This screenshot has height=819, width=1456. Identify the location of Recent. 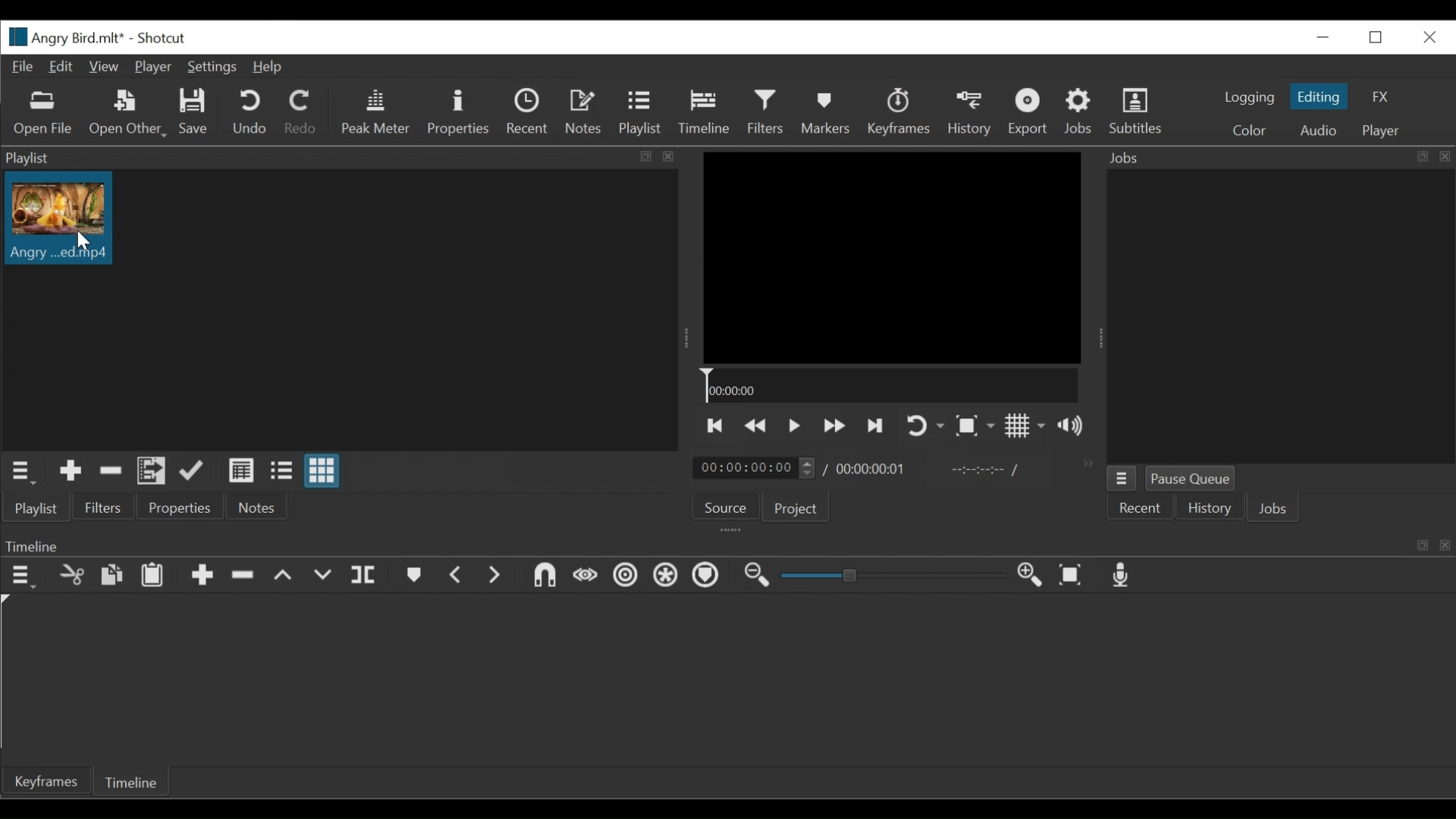
(526, 113).